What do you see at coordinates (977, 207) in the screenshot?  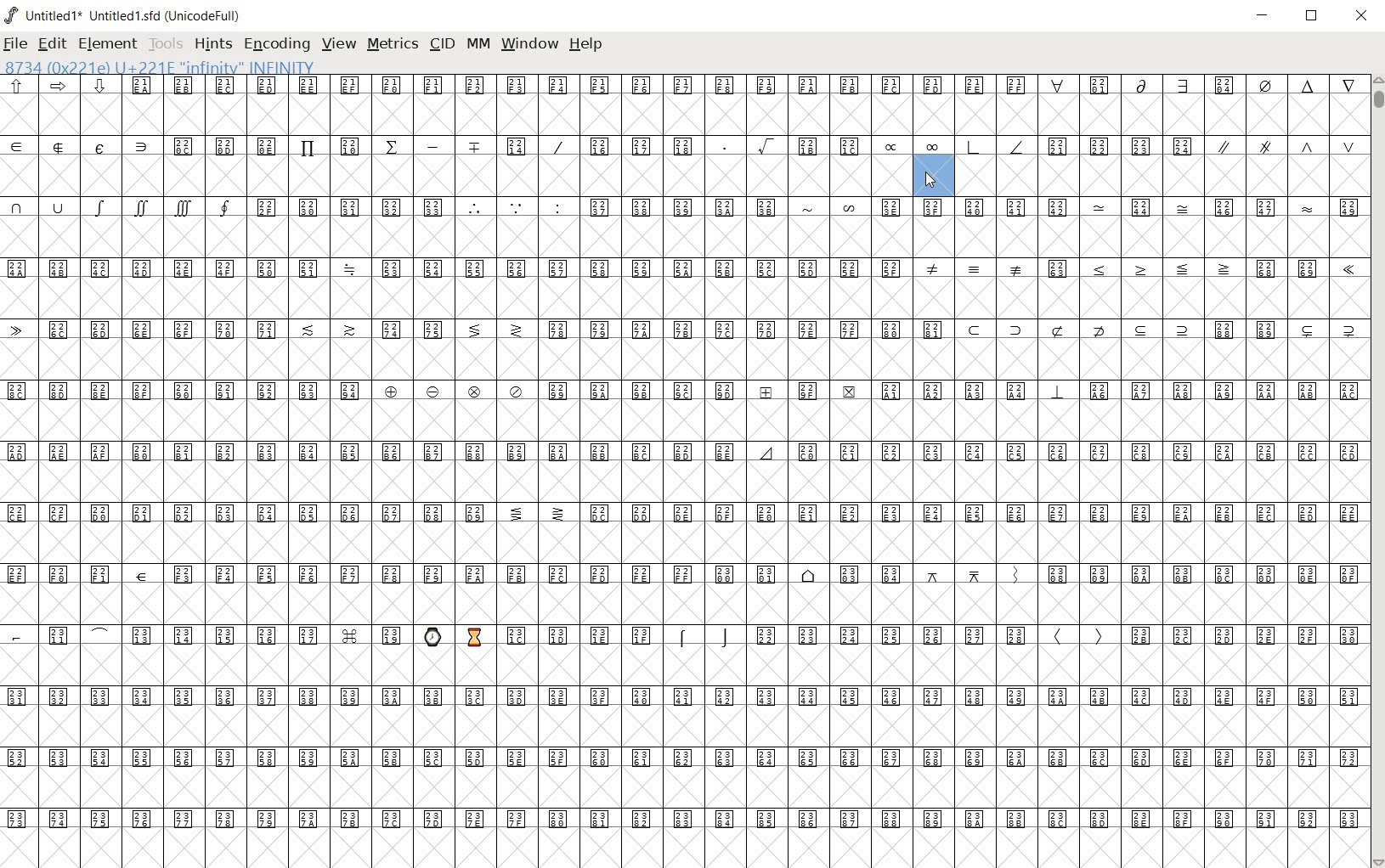 I see `Unicode code points` at bounding box center [977, 207].